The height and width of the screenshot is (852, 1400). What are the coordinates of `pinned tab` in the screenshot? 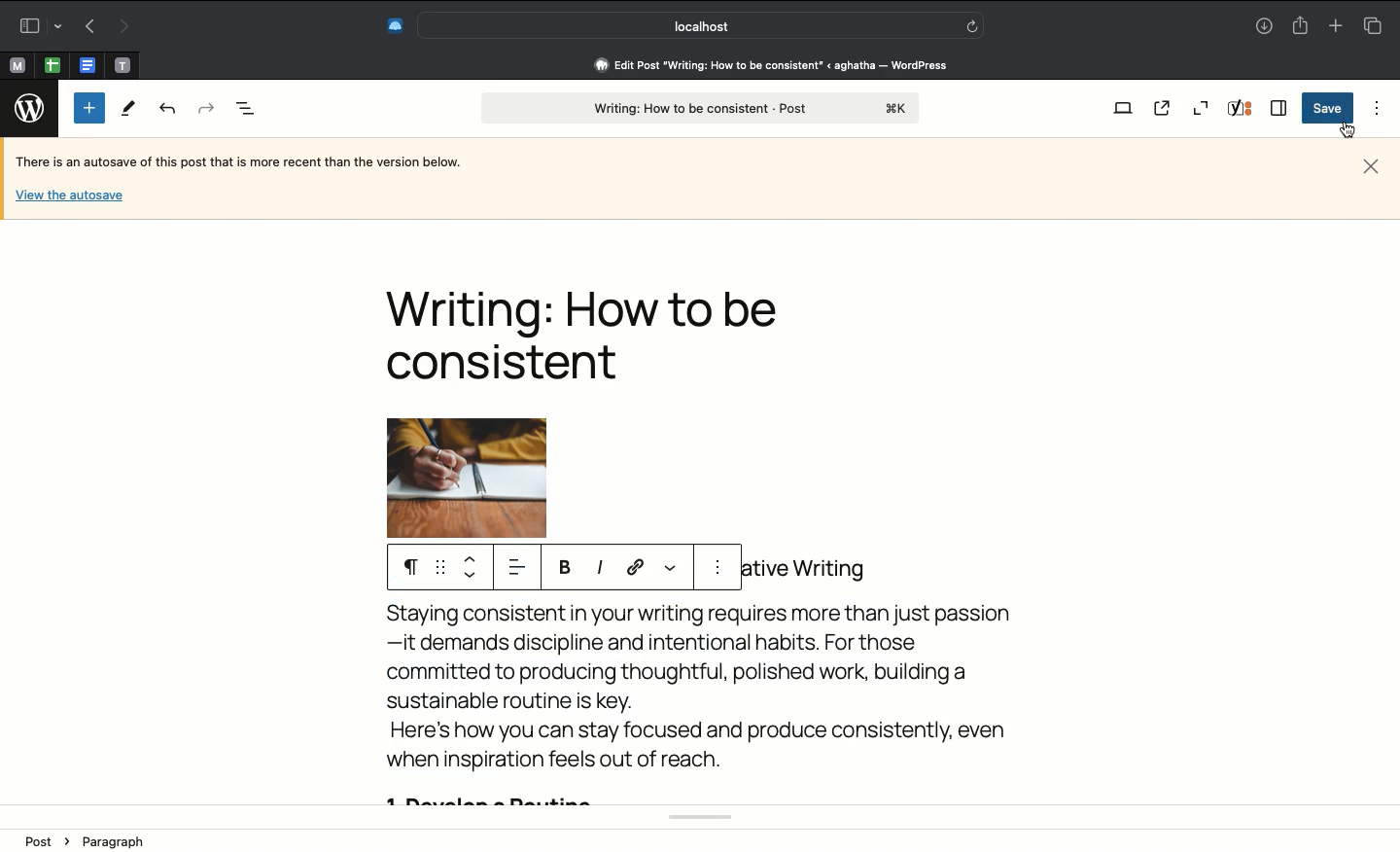 It's located at (124, 62).